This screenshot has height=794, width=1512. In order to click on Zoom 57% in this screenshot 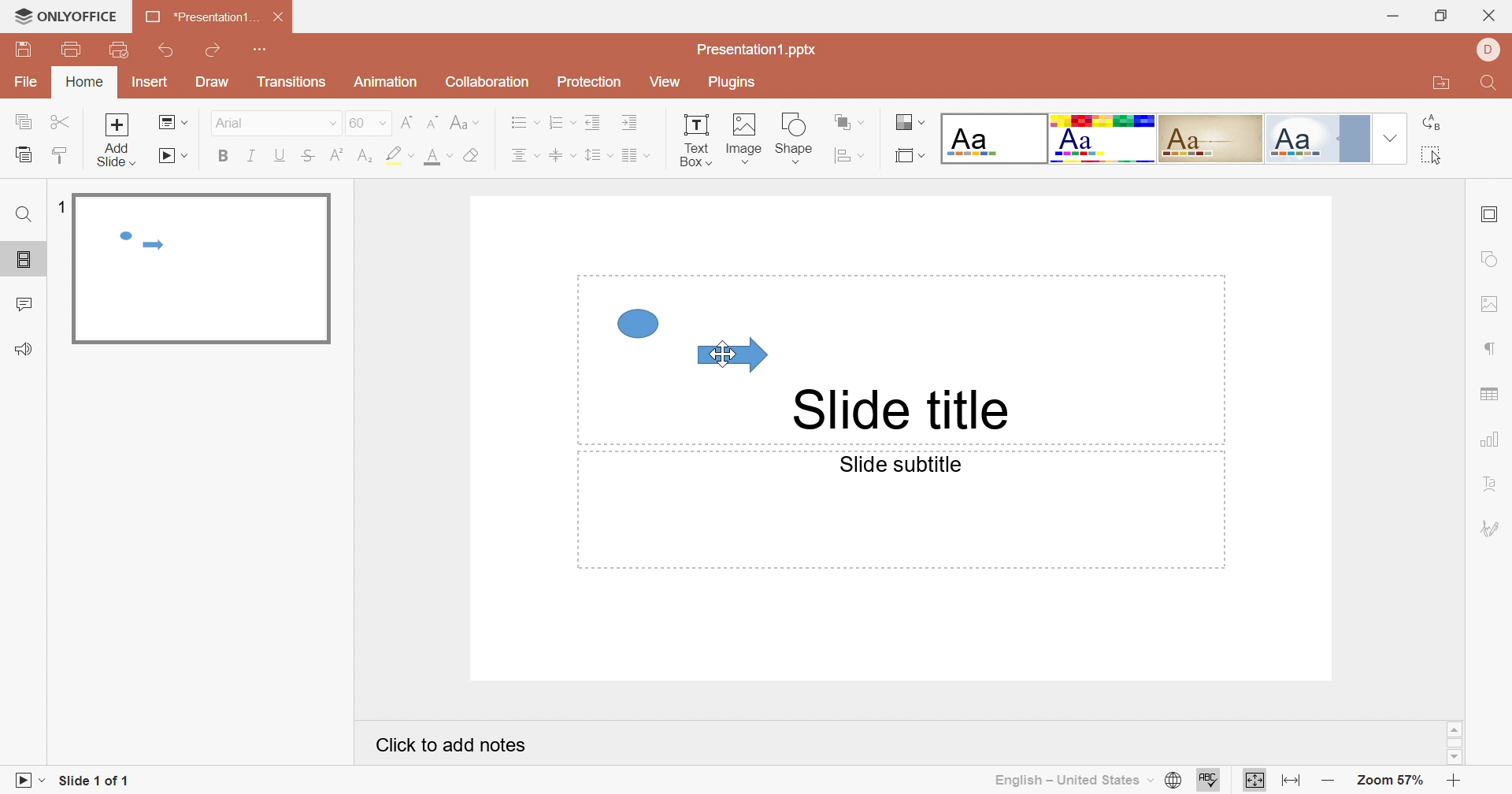, I will do `click(1391, 783)`.